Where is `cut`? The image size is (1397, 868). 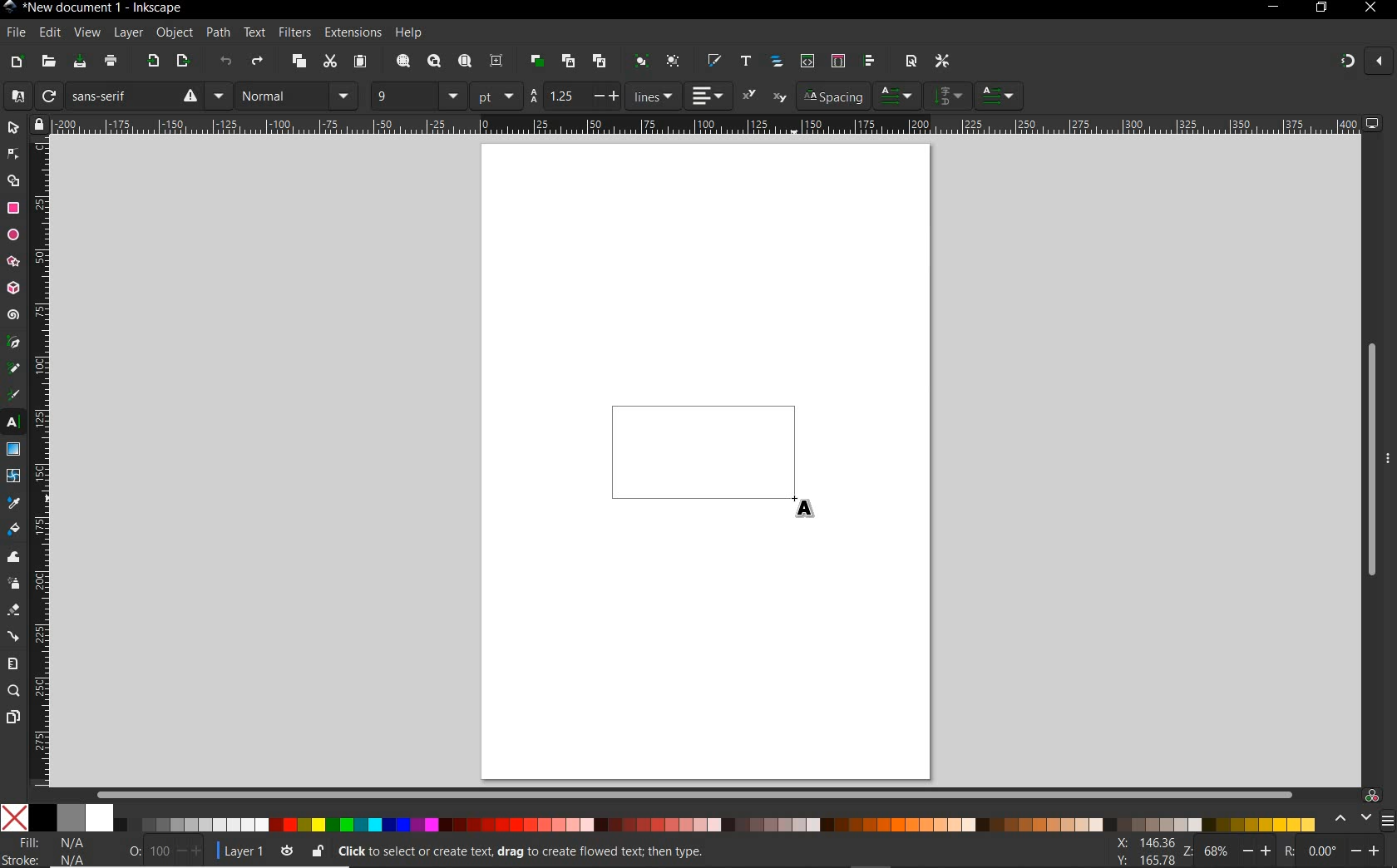 cut is located at coordinates (329, 62).